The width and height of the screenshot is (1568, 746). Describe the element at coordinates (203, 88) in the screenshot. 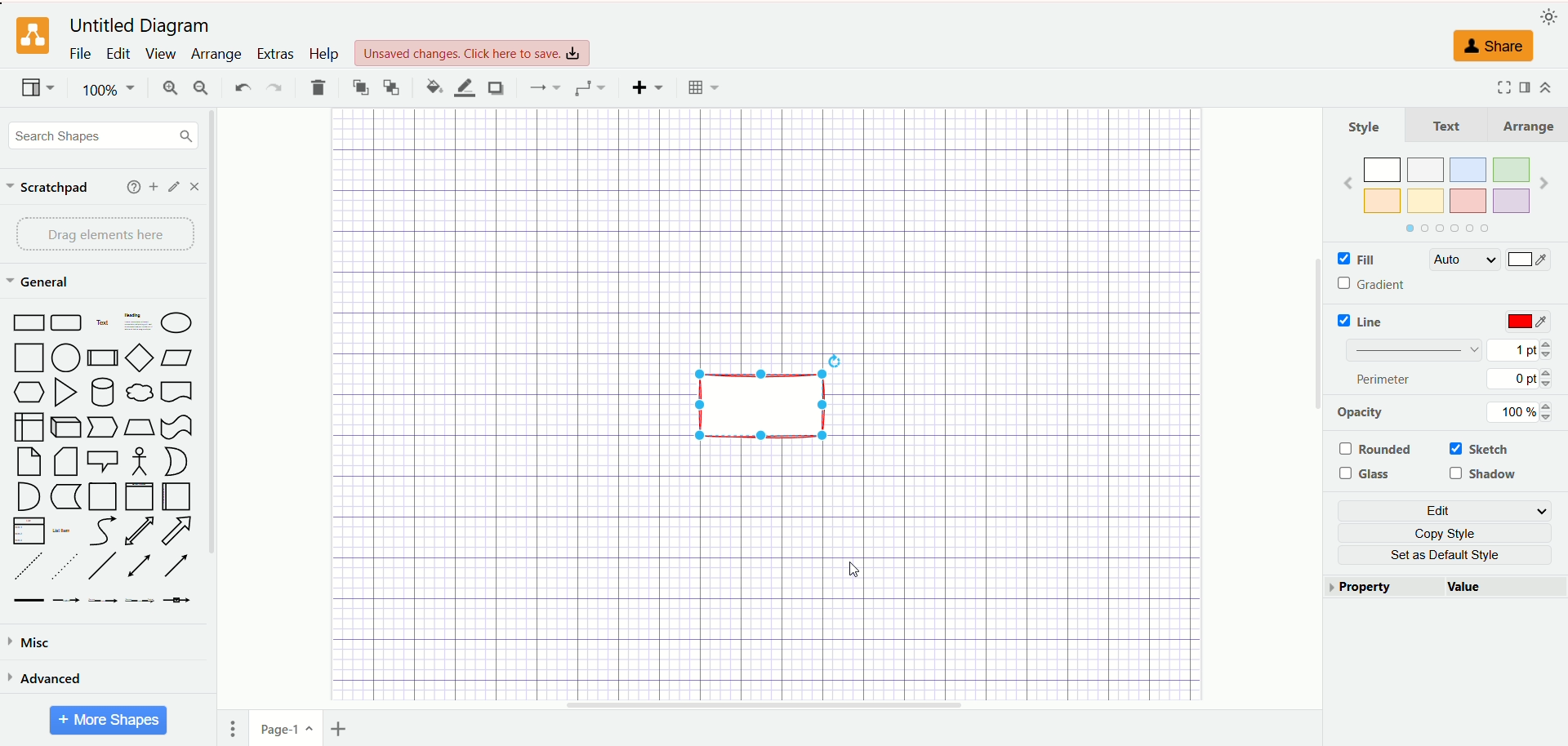

I see `zoom out` at that location.